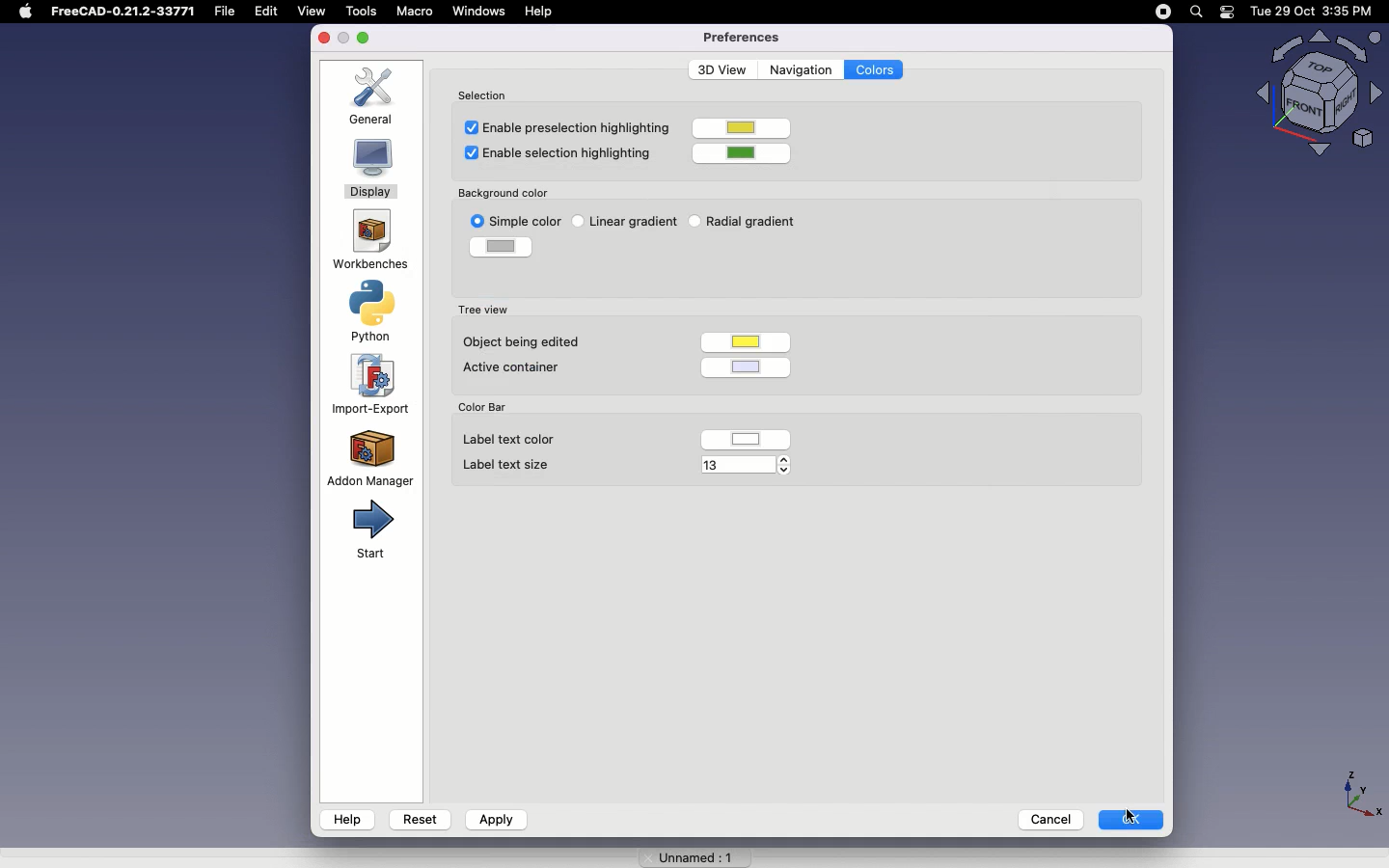 The height and width of the screenshot is (868, 1389). What do you see at coordinates (126, 14) in the screenshot?
I see `FreeCAD-0.21.2-33Y71` at bounding box center [126, 14].